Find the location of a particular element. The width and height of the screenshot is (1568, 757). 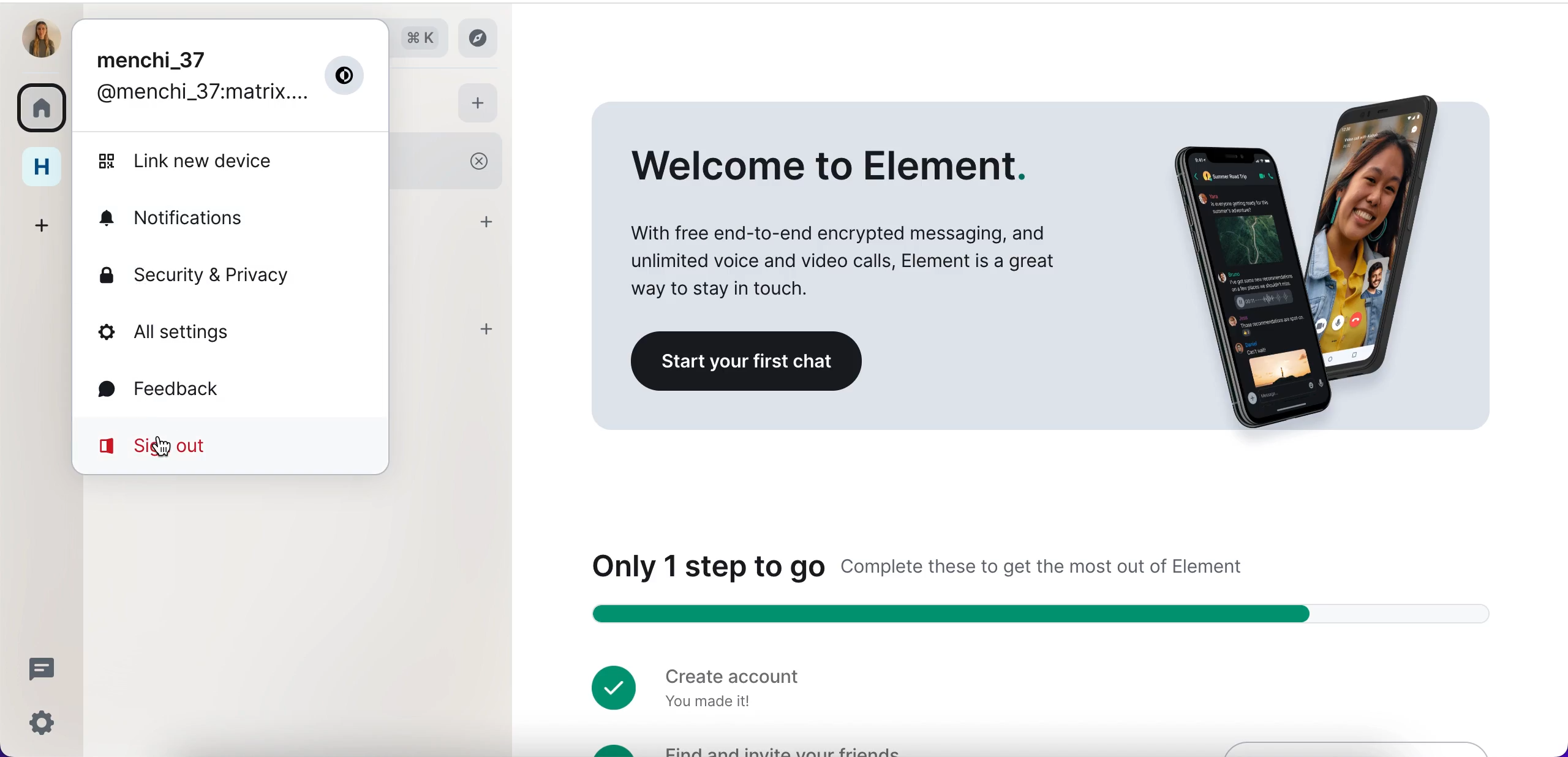

explore rooms is located at coordinates (484, 38).